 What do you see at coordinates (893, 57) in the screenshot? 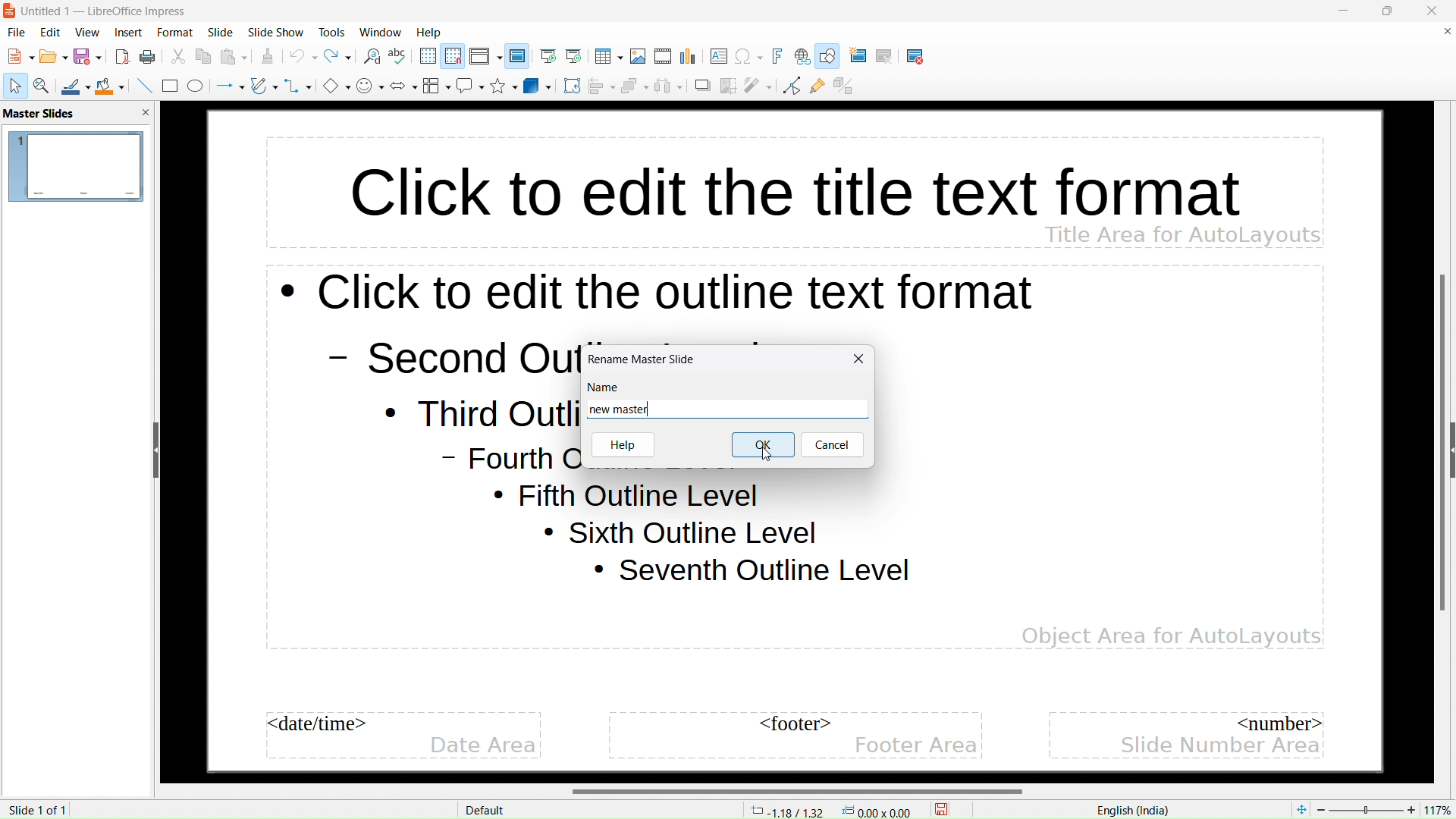
I see `duplicate slide` at bounding box center [893, 57].